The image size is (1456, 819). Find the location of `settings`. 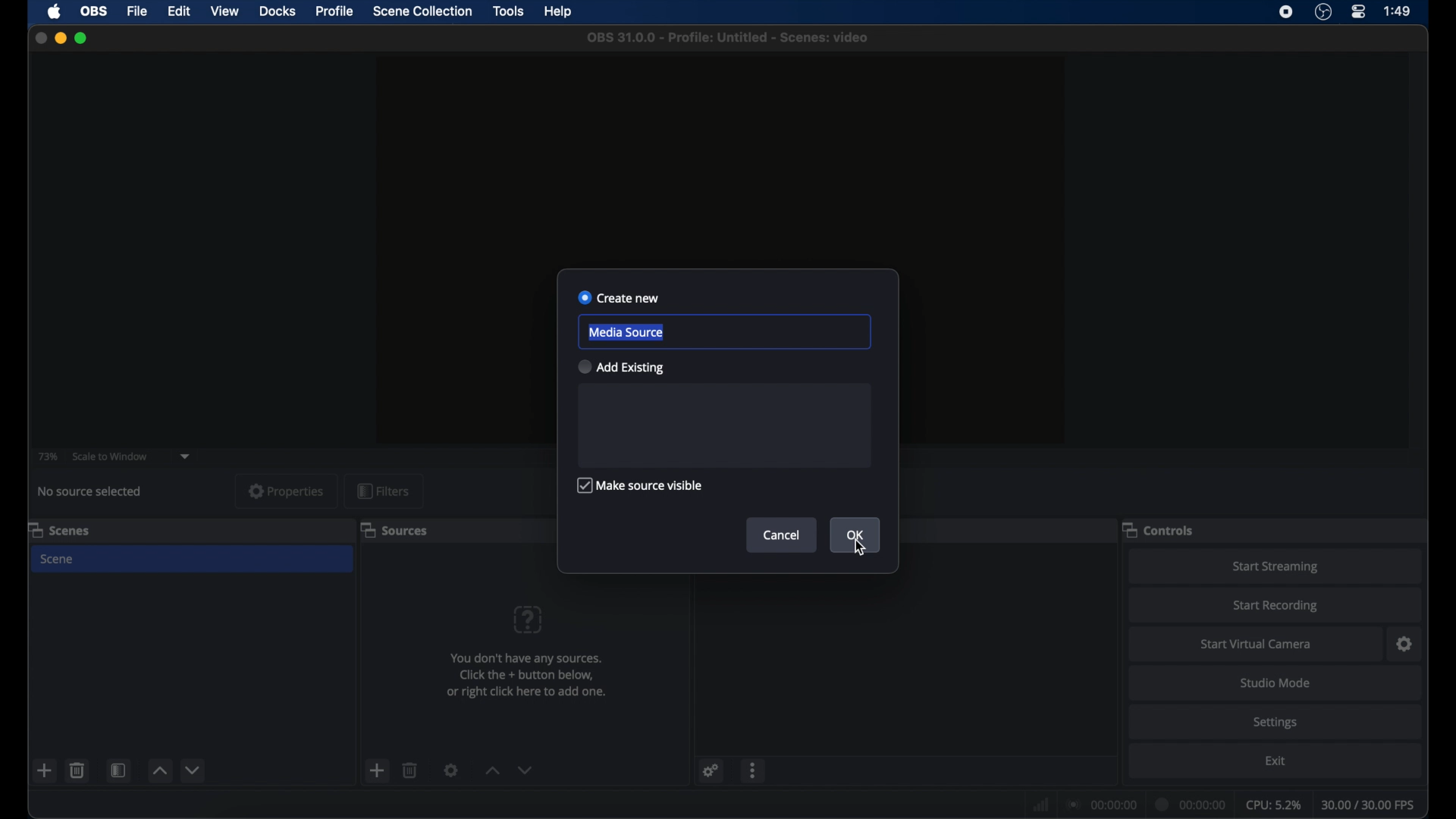

settings is located at coordinates (1277, 723).